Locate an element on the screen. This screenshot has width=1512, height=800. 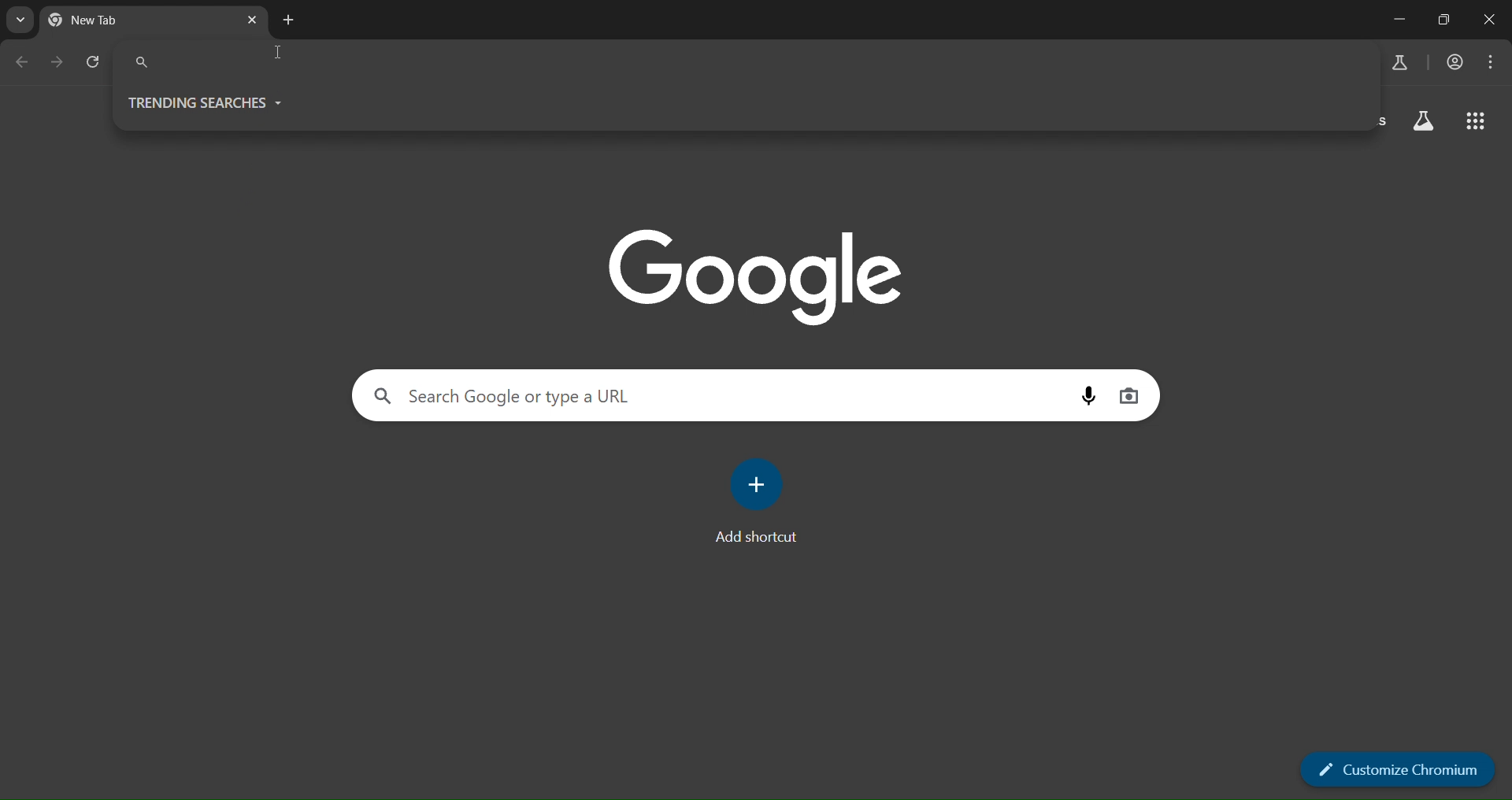
search labs is located at coordinates (1396, 64).